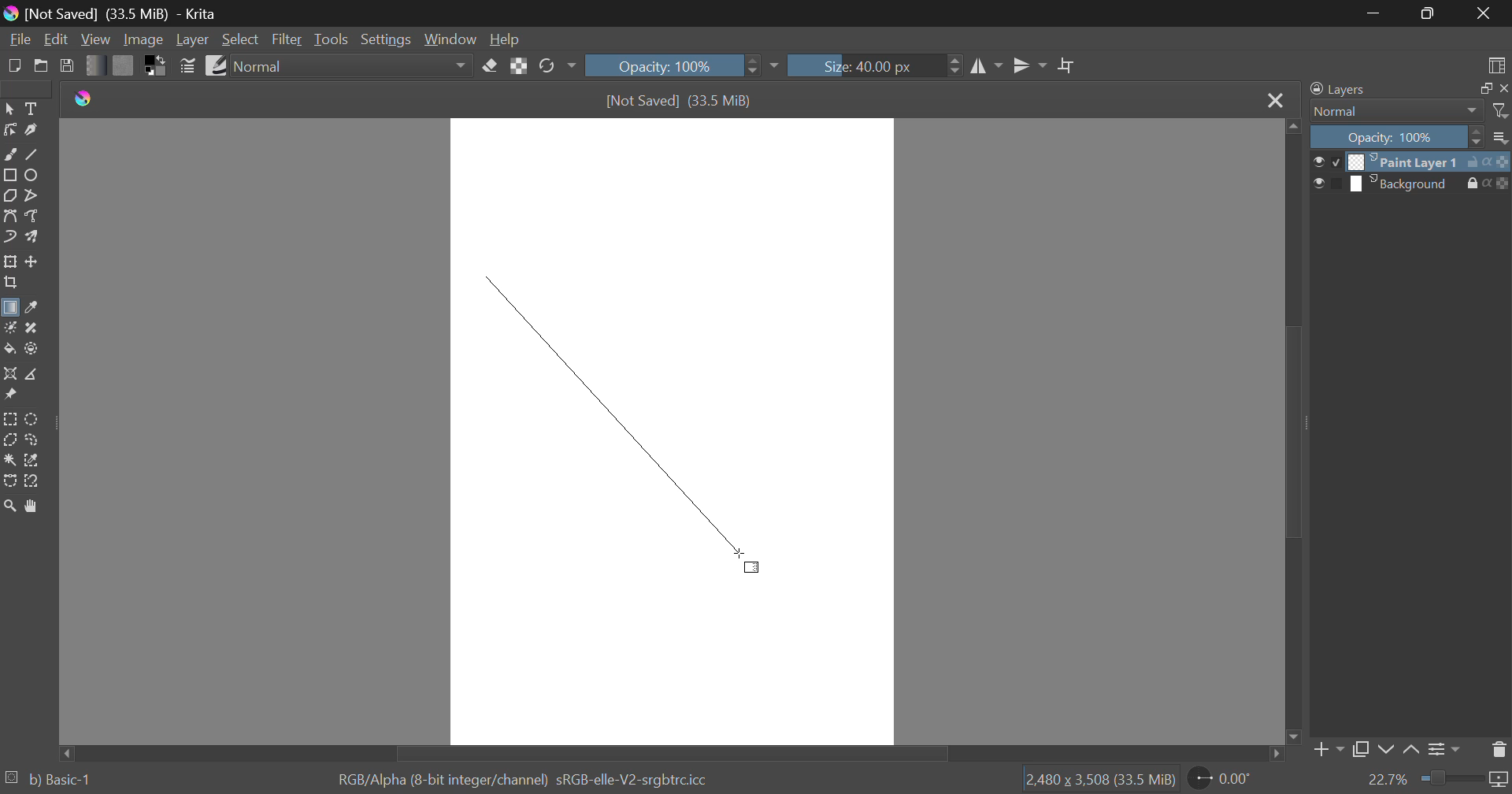 This screenshot has width=1512, height=794. Describe the element at coordinates (9, 175) in the screenshot. I see `Rectangle` at that location.